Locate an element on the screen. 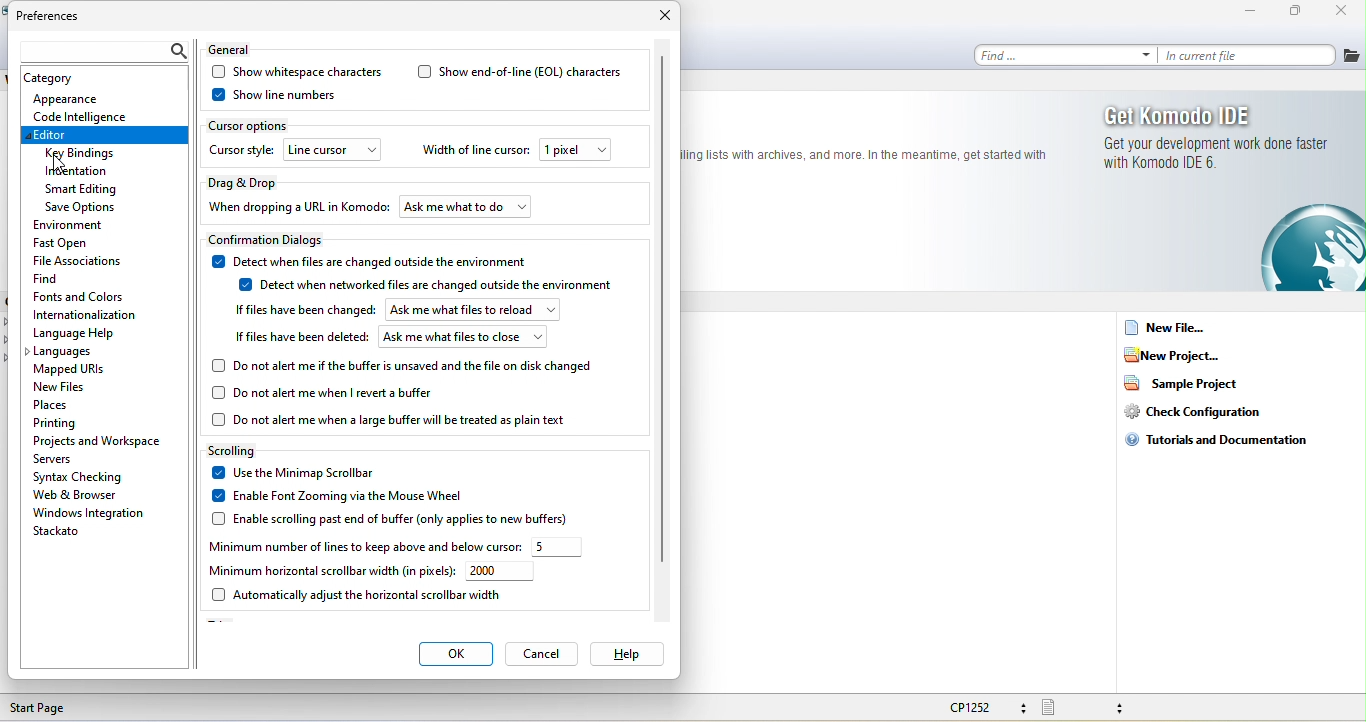 Image resolution: width=1366 pixels, height=722 pixels. if files have been deleted is located at coordinates (300, 339).